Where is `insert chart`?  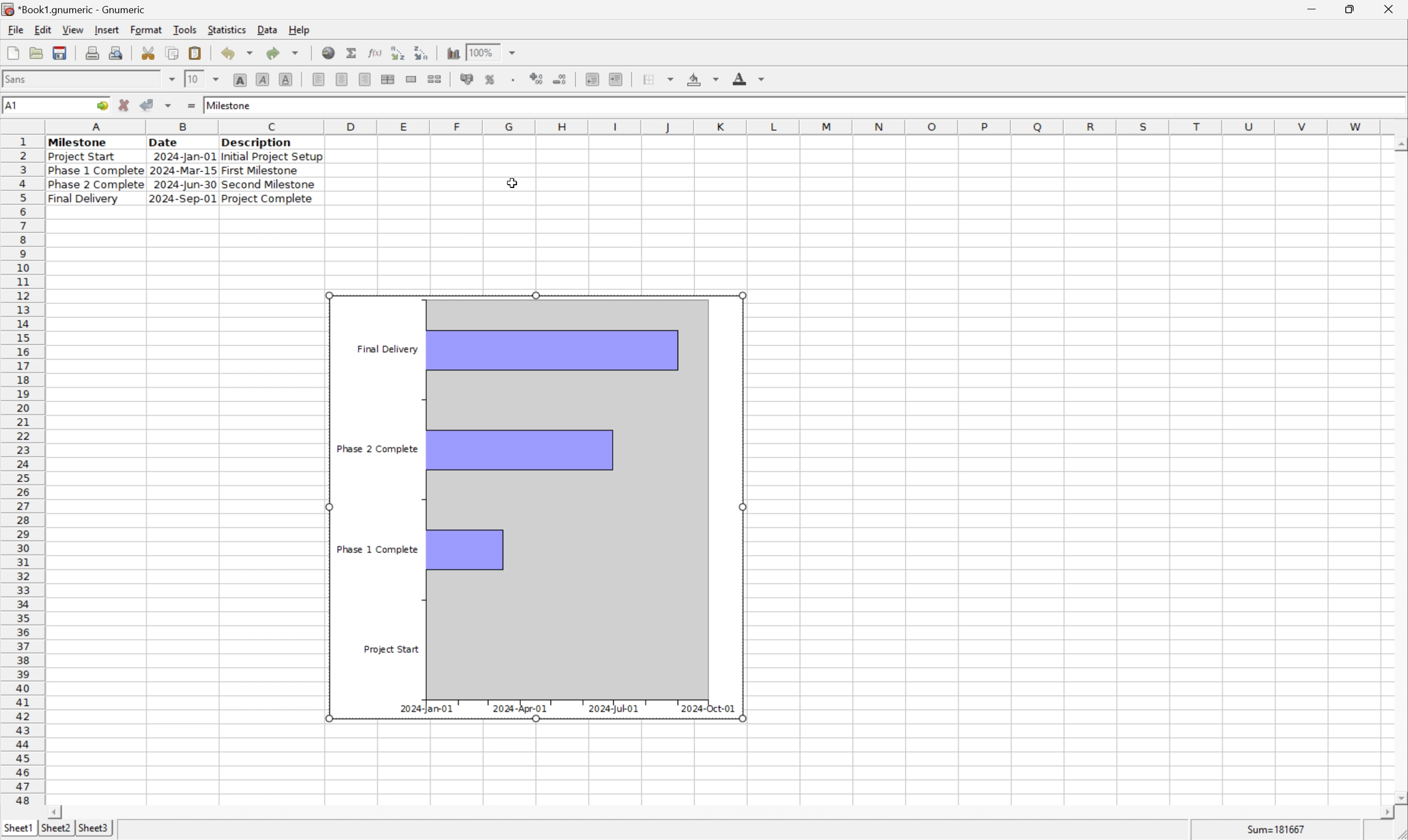
insert chart is located at coordinates (452, 53).